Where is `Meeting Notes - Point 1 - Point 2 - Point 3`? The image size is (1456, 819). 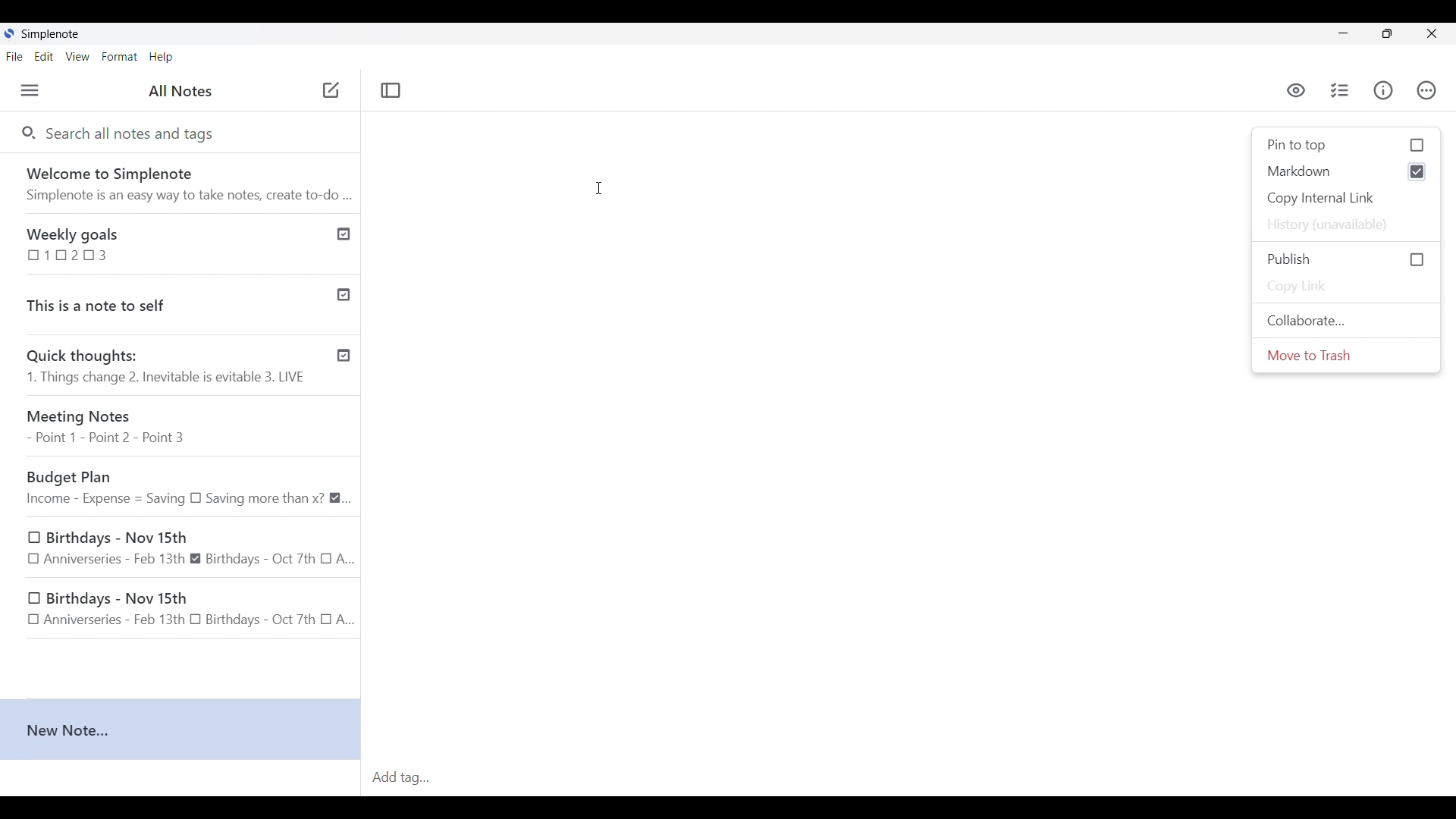 Meeting Notes - Point 1 - Point 2 - Point 3 is located at coordinates (186, 428).